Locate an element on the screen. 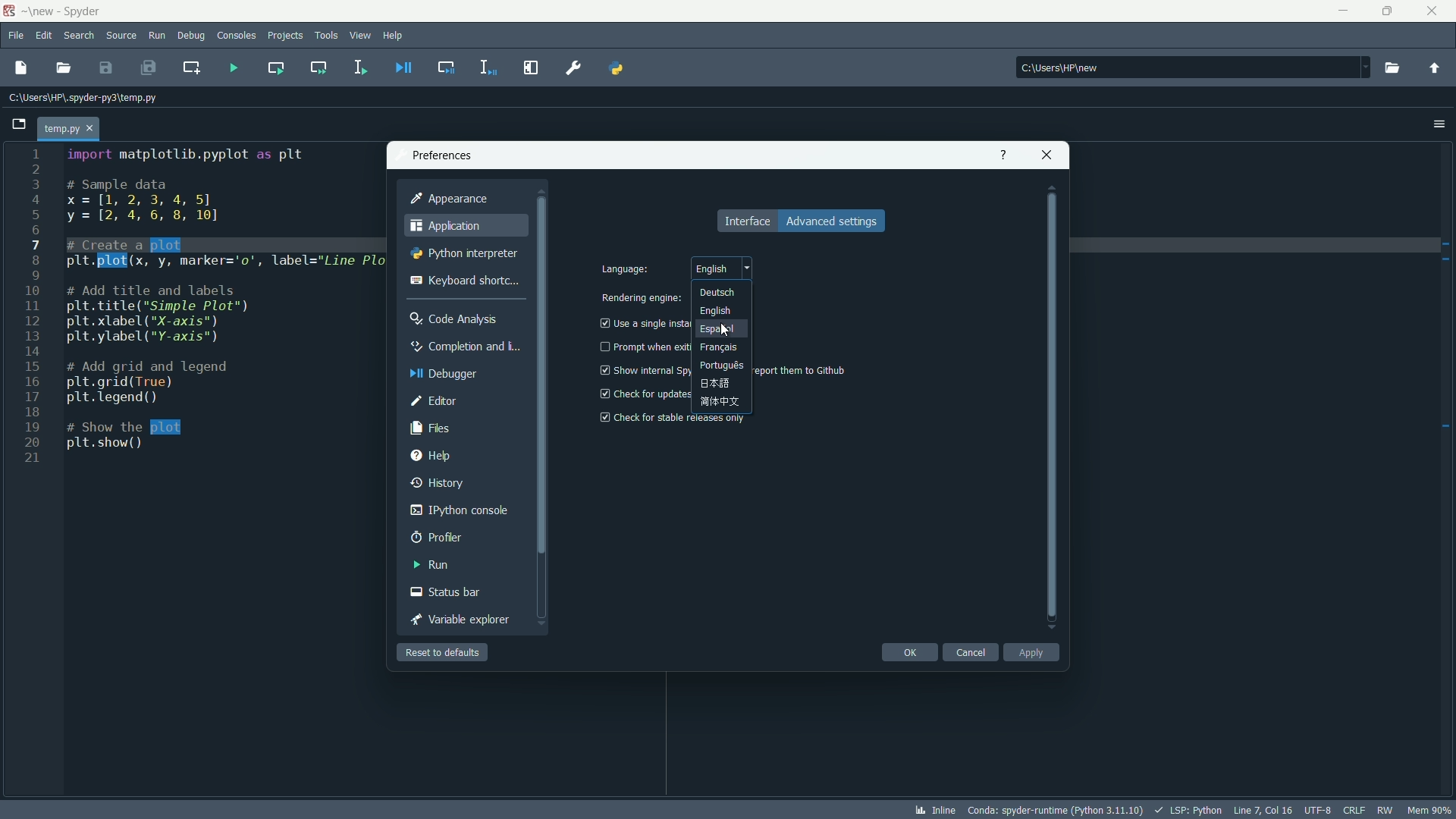 The image size is (1456, 819). preferences is located at coordinates (576, 67).